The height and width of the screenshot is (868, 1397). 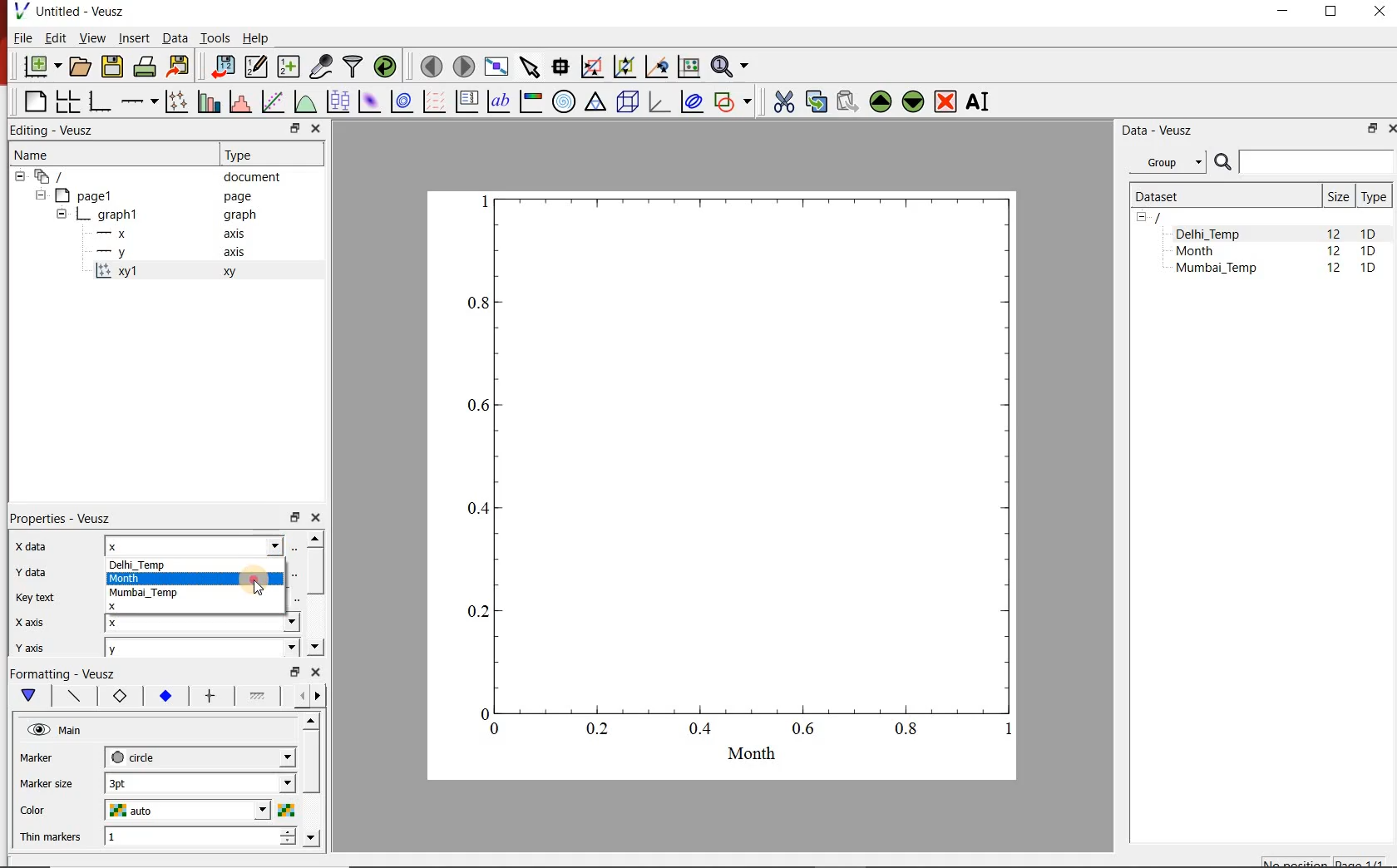 I want to click on RESTORE, so click(x=1331, y=12).